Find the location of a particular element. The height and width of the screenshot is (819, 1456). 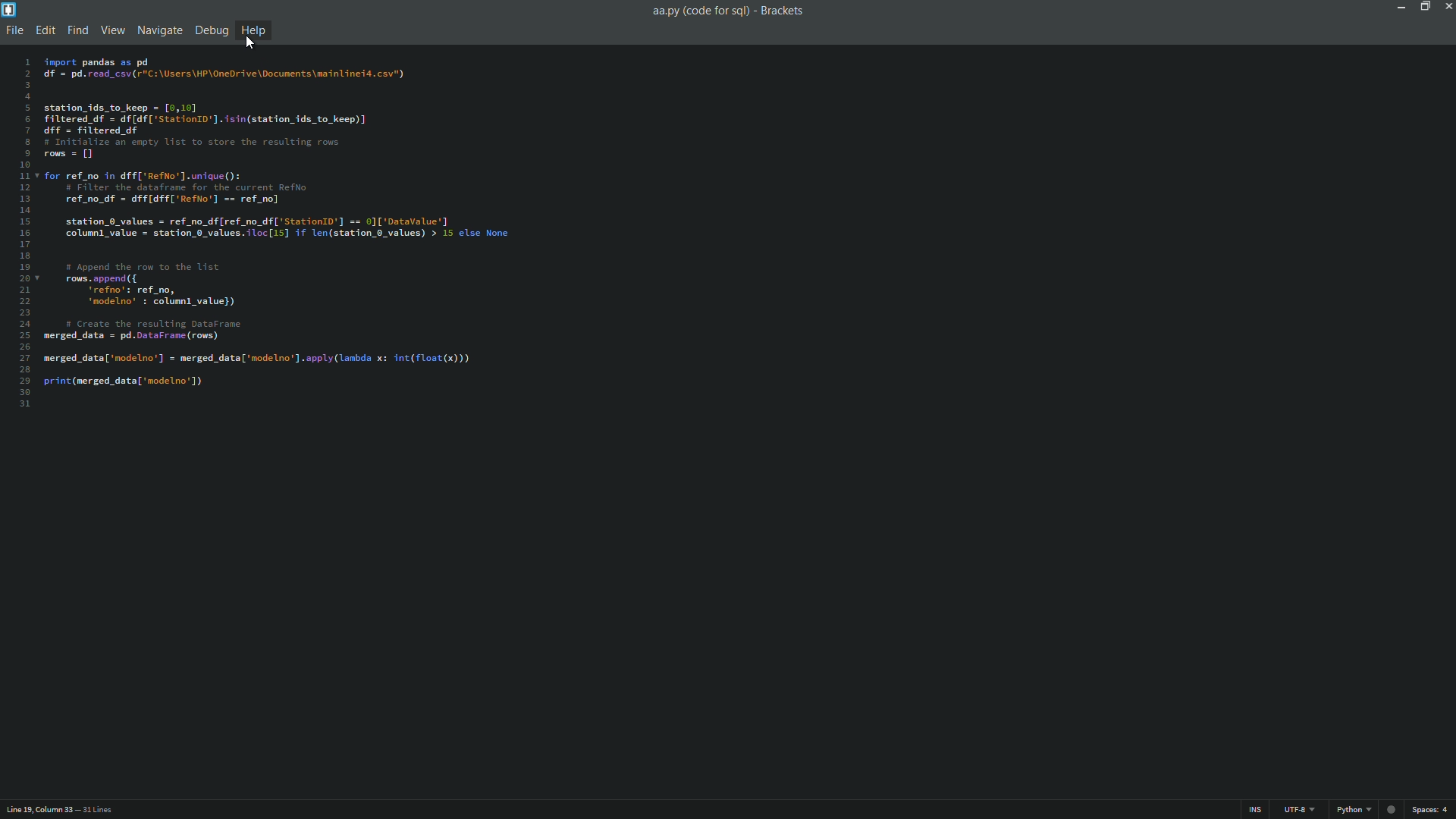

minimize is located at coordinates (1400, 8).